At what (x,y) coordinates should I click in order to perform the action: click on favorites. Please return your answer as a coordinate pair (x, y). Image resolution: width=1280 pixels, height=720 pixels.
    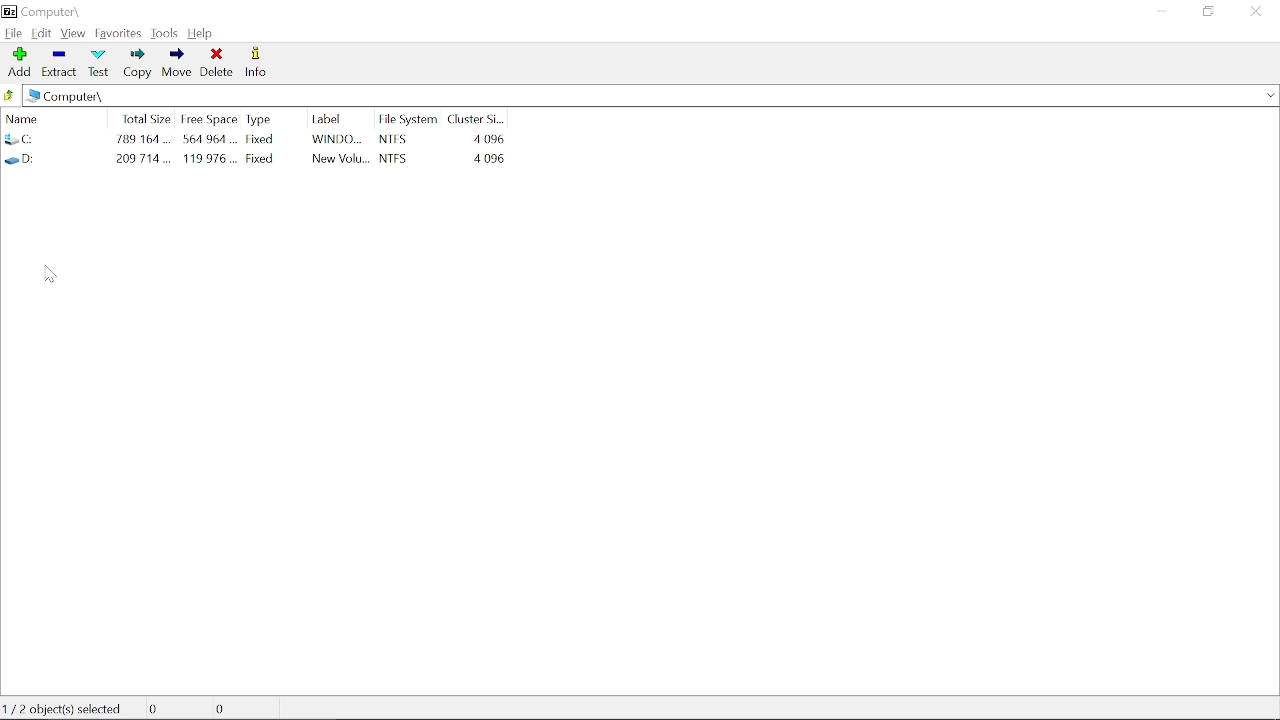
    Looking at the image, I should click on (119, 33).